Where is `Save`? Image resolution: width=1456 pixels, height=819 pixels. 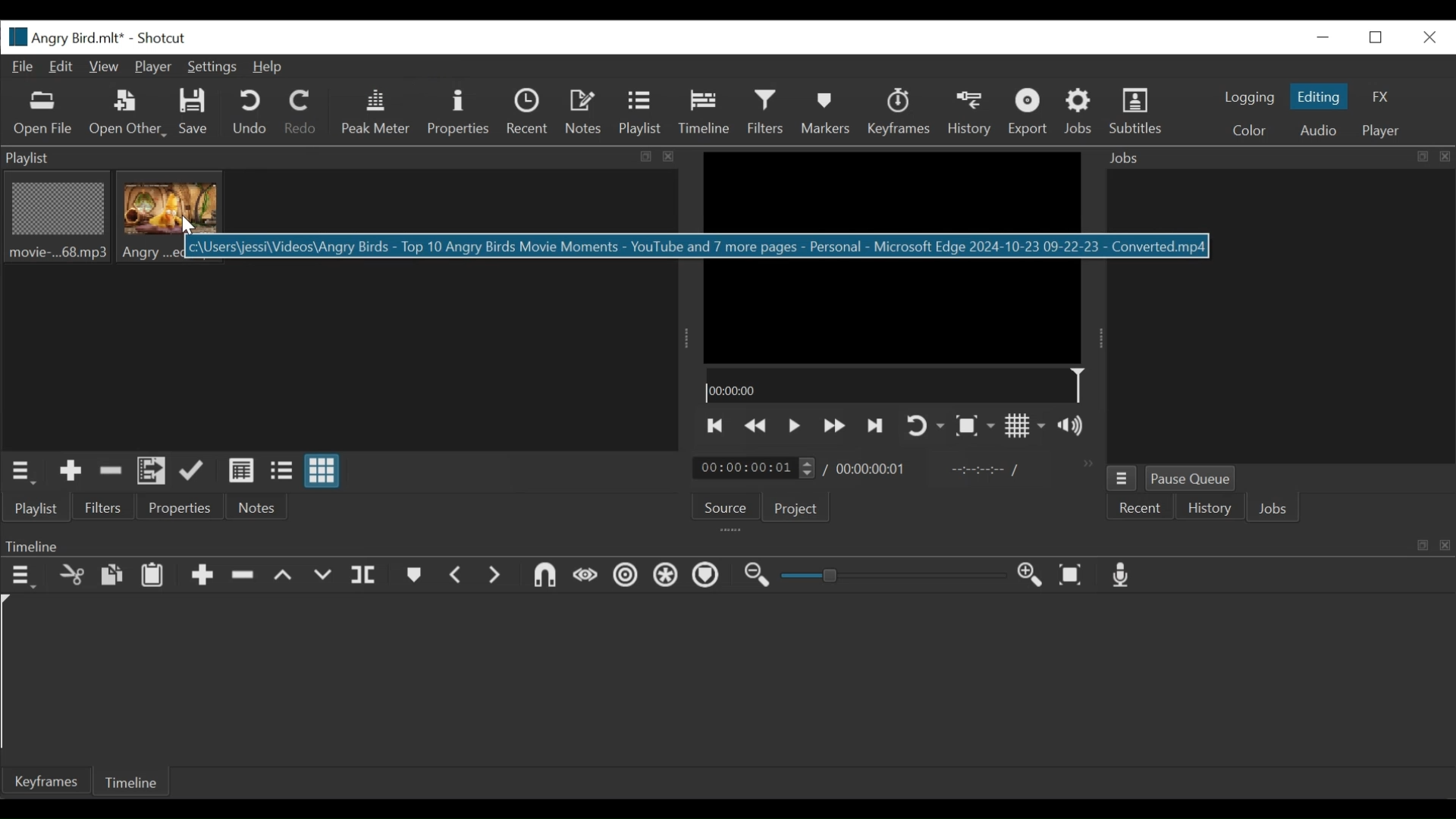 Save is located at coordinates (196, 115).